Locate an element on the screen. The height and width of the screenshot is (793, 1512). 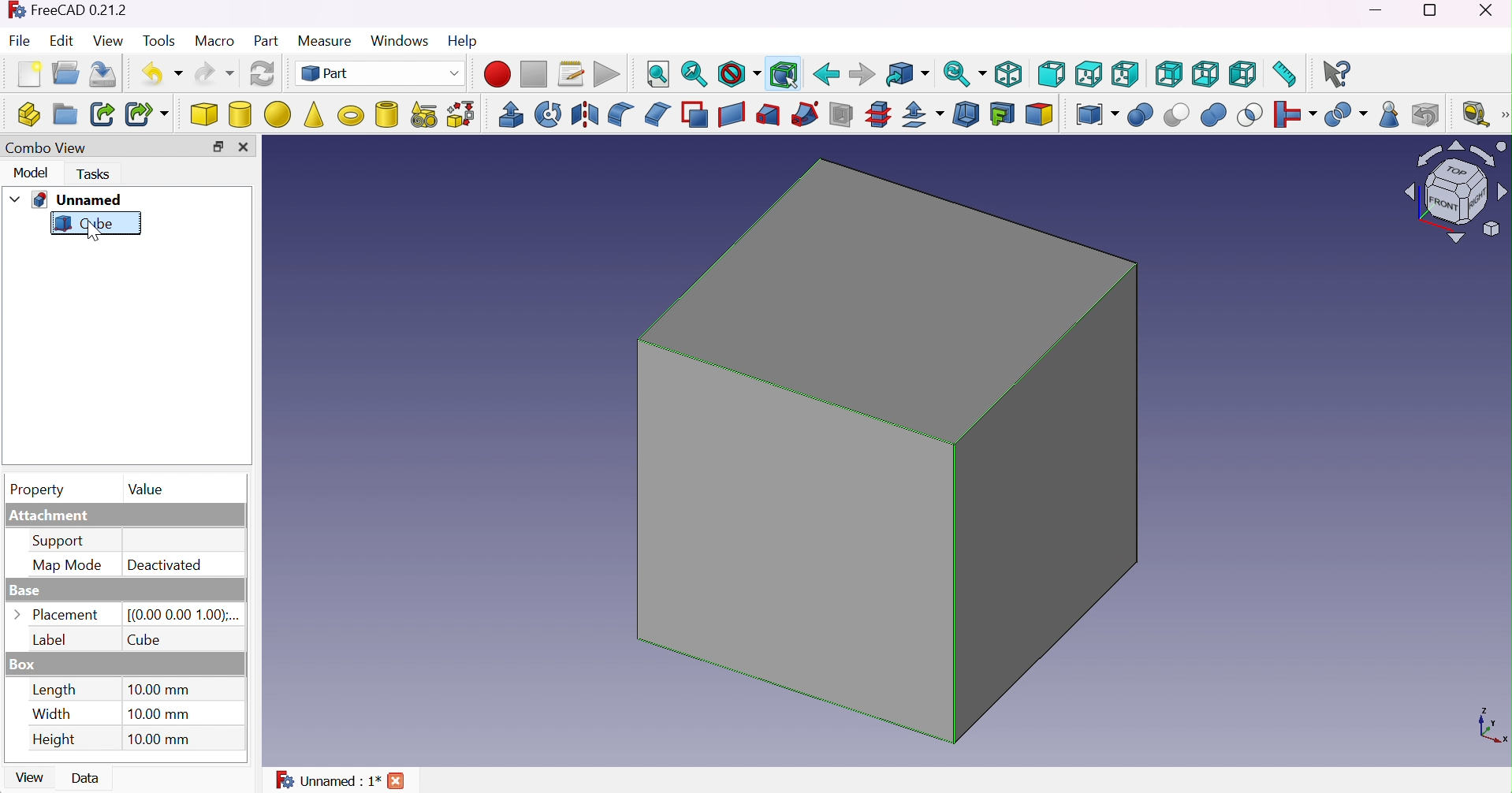
Label is located at coordinates (48, 640).